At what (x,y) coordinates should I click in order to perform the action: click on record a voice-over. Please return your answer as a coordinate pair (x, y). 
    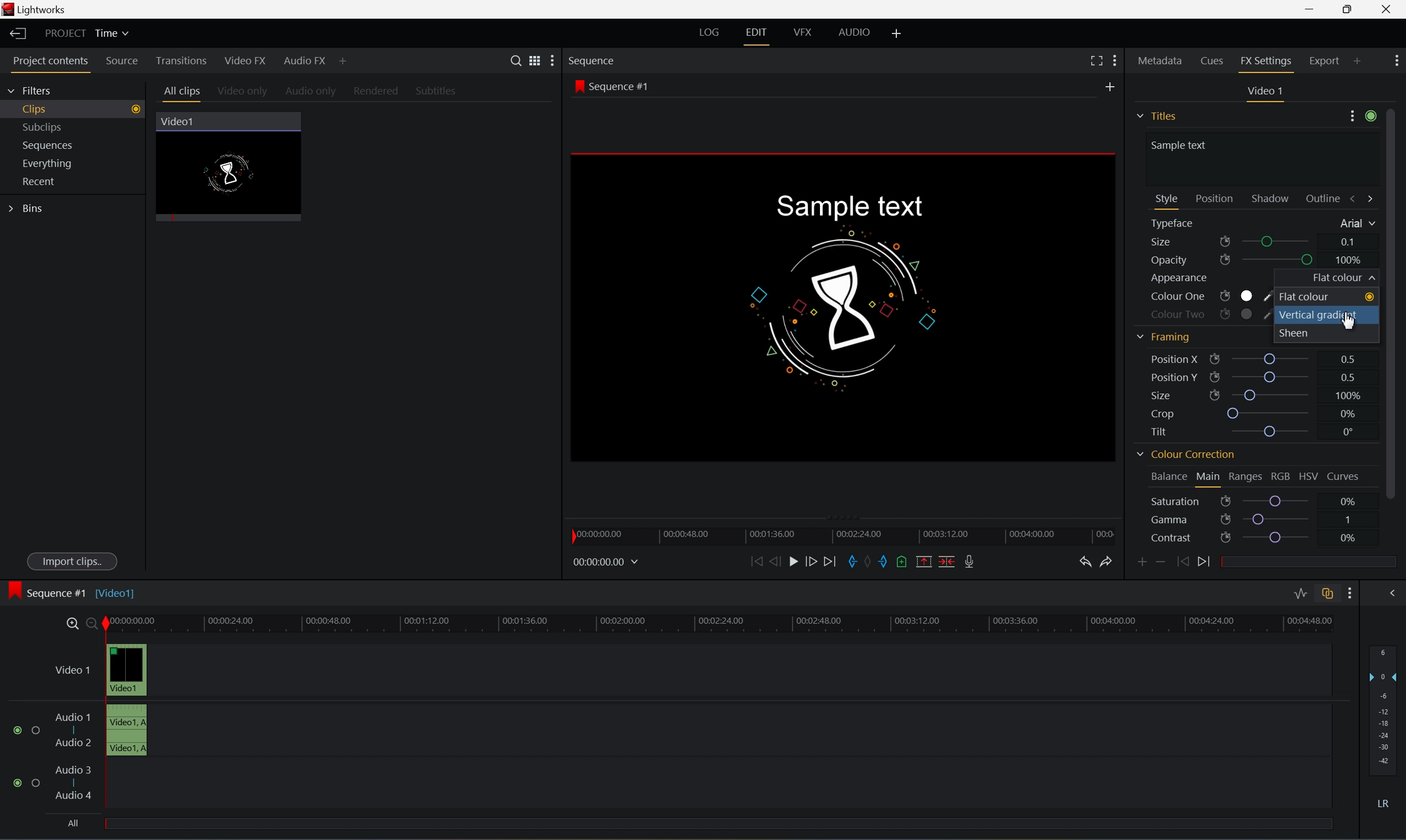
    Looking at the image, I should click on (972, 561).